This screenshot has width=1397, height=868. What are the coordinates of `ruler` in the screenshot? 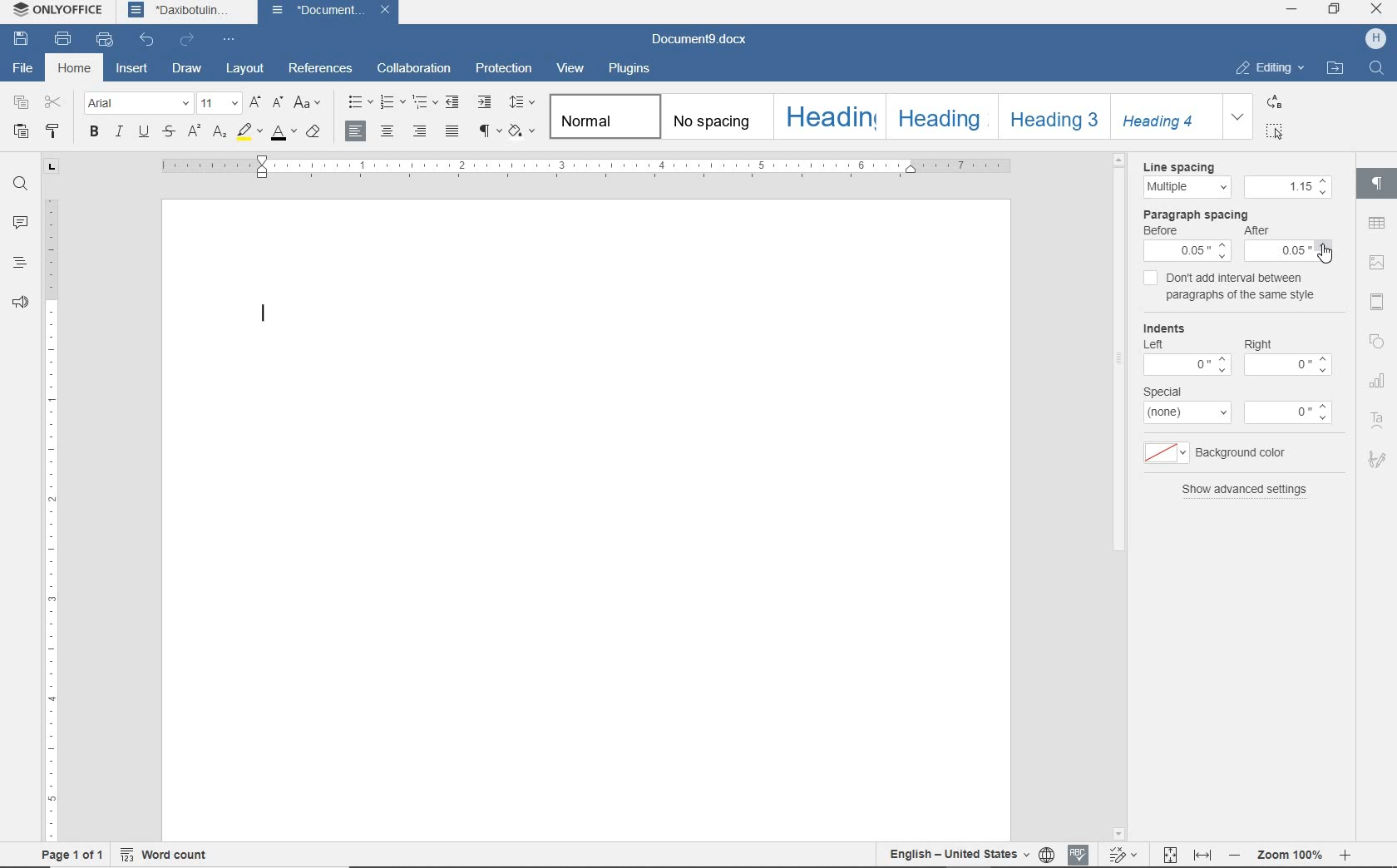 It's located at (587, 166).